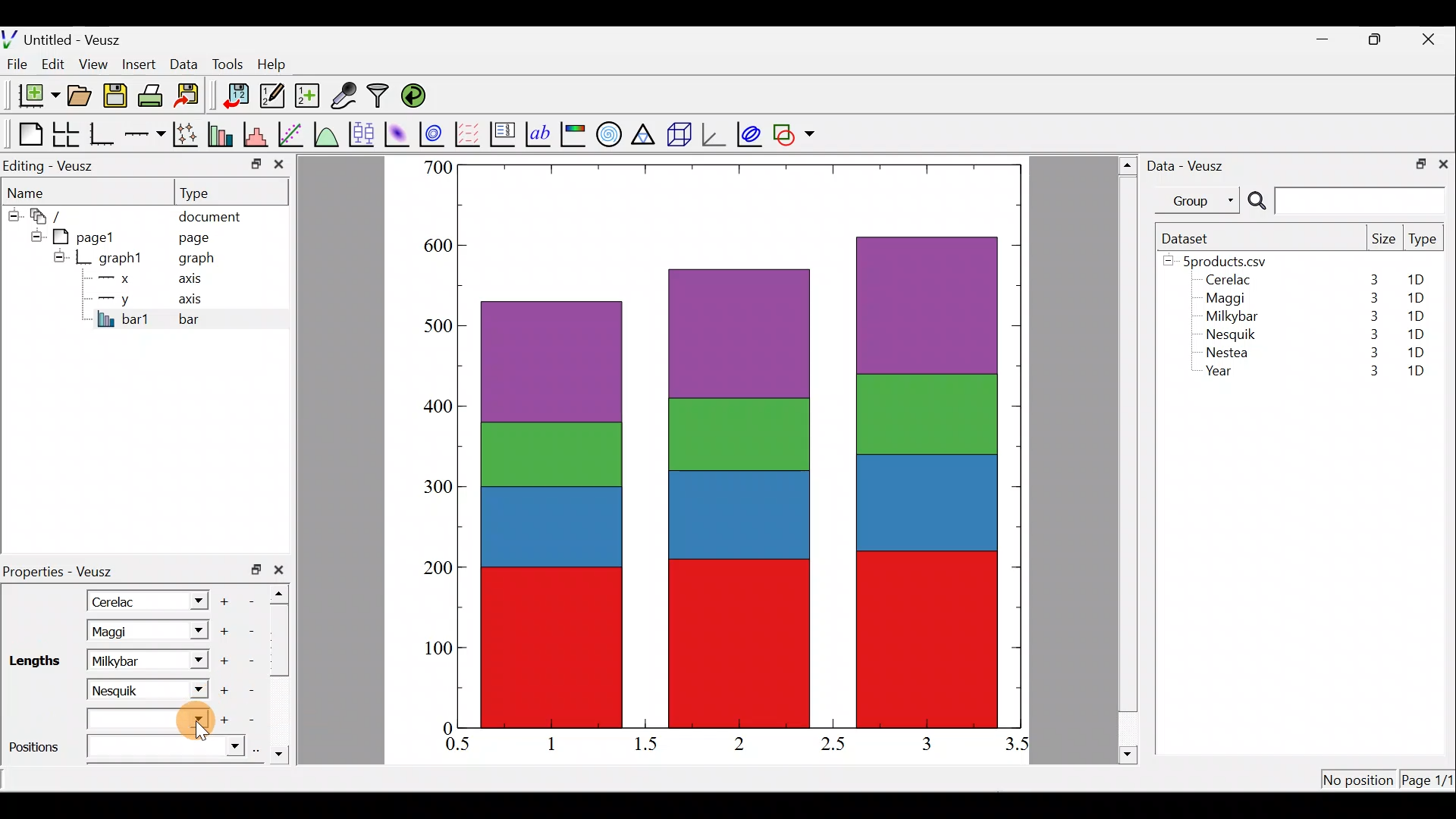  Describe the element at coordinates (1377, 39) in the screenshot. I see `restore down` at that location.